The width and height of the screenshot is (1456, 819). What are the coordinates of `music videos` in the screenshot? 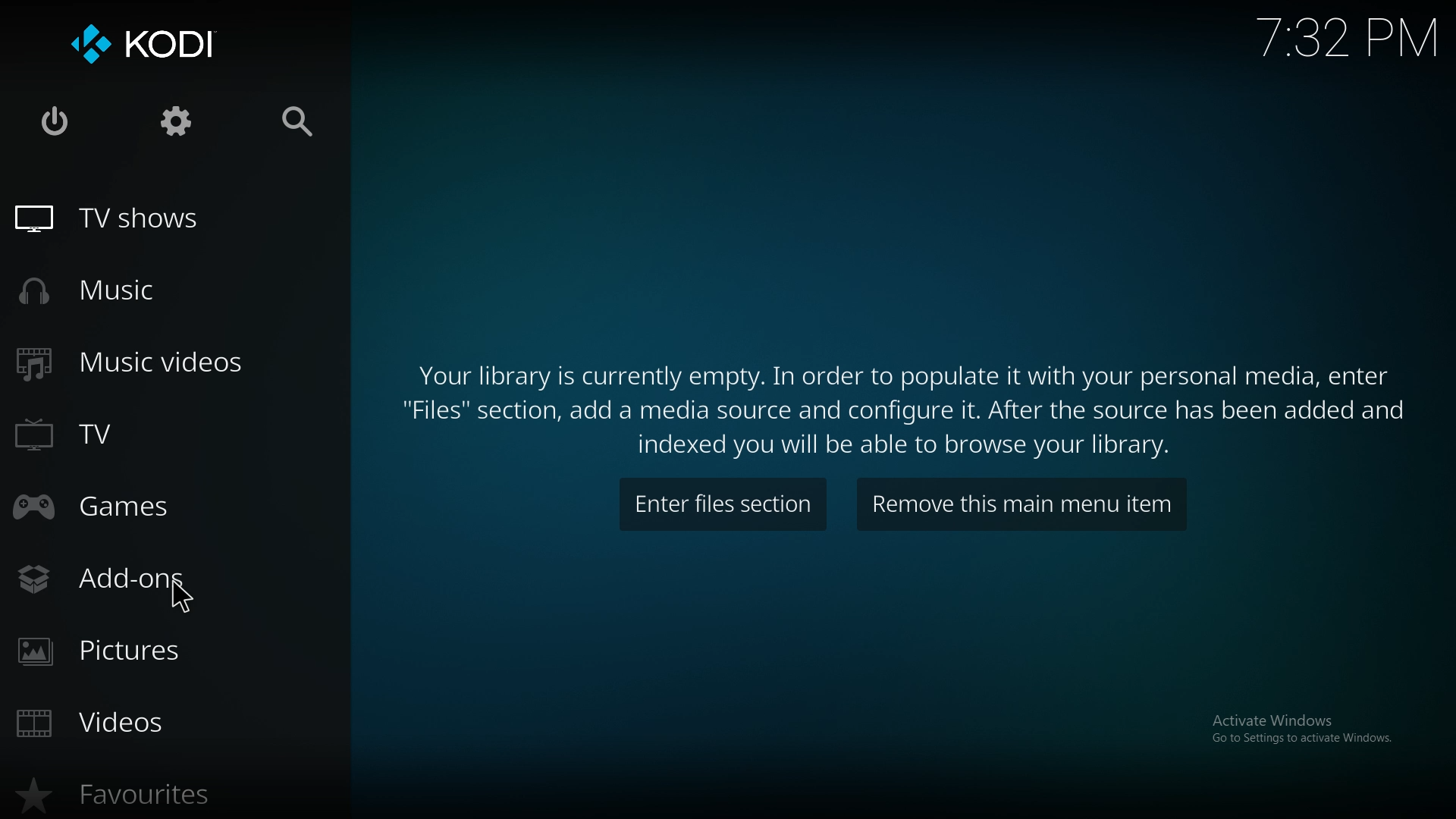 It's located at (138, 365).